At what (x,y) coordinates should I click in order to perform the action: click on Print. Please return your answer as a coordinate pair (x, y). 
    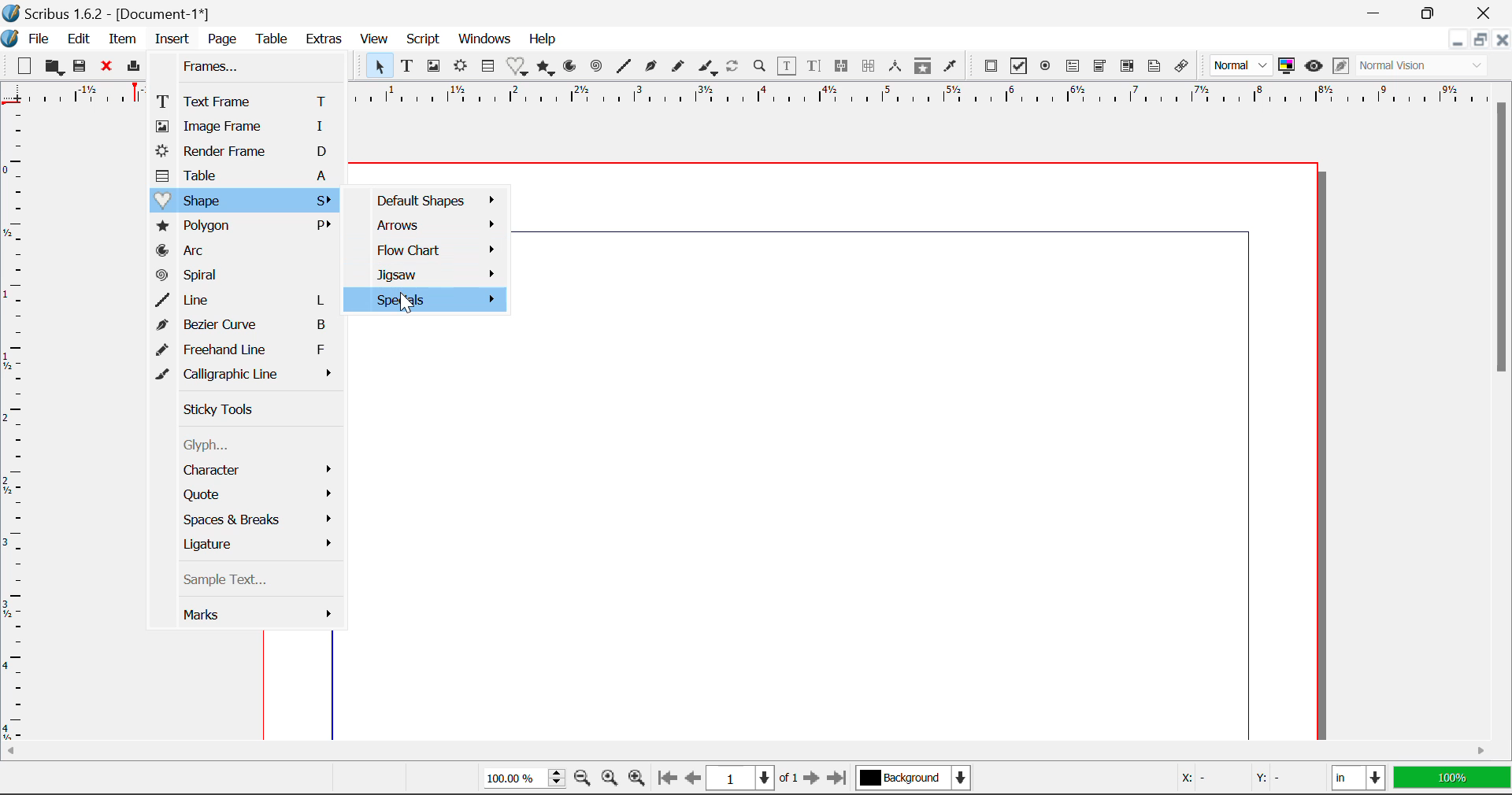
    Looking at the image, I should click on (136, 67).